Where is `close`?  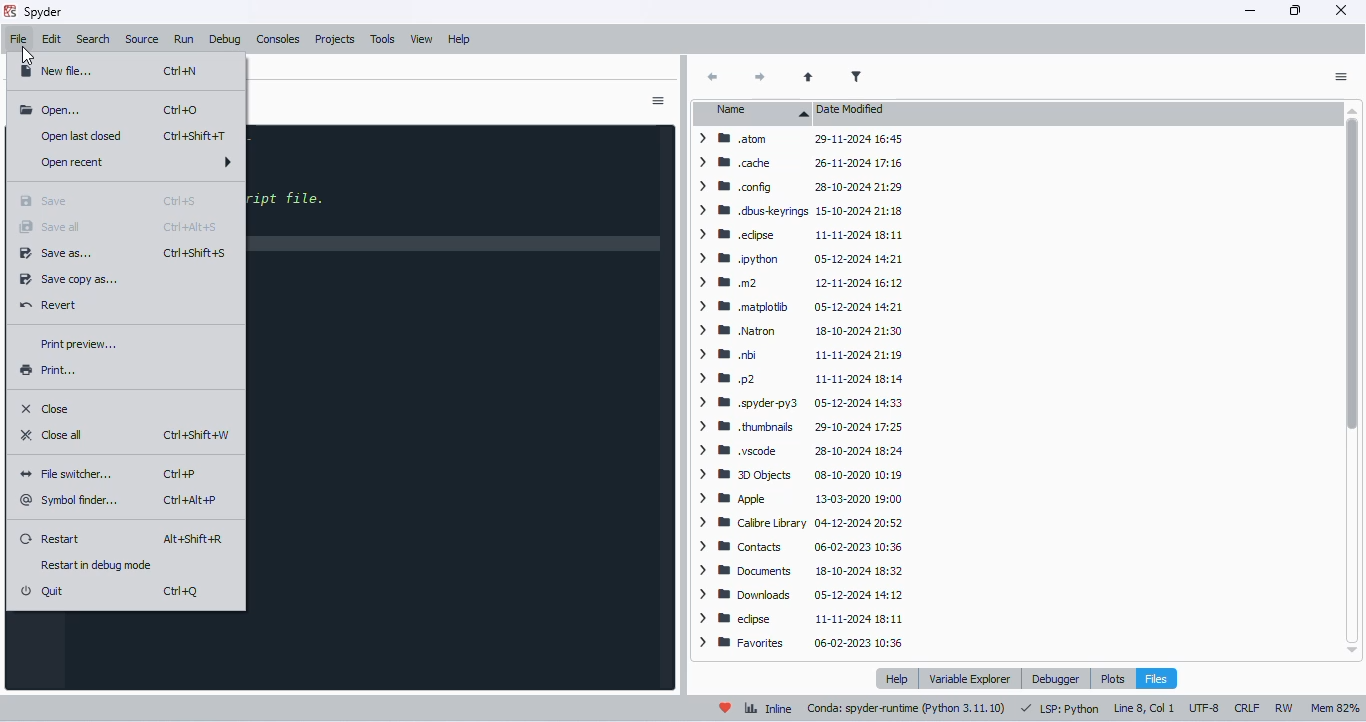
close is located at coordinates (47, 409).